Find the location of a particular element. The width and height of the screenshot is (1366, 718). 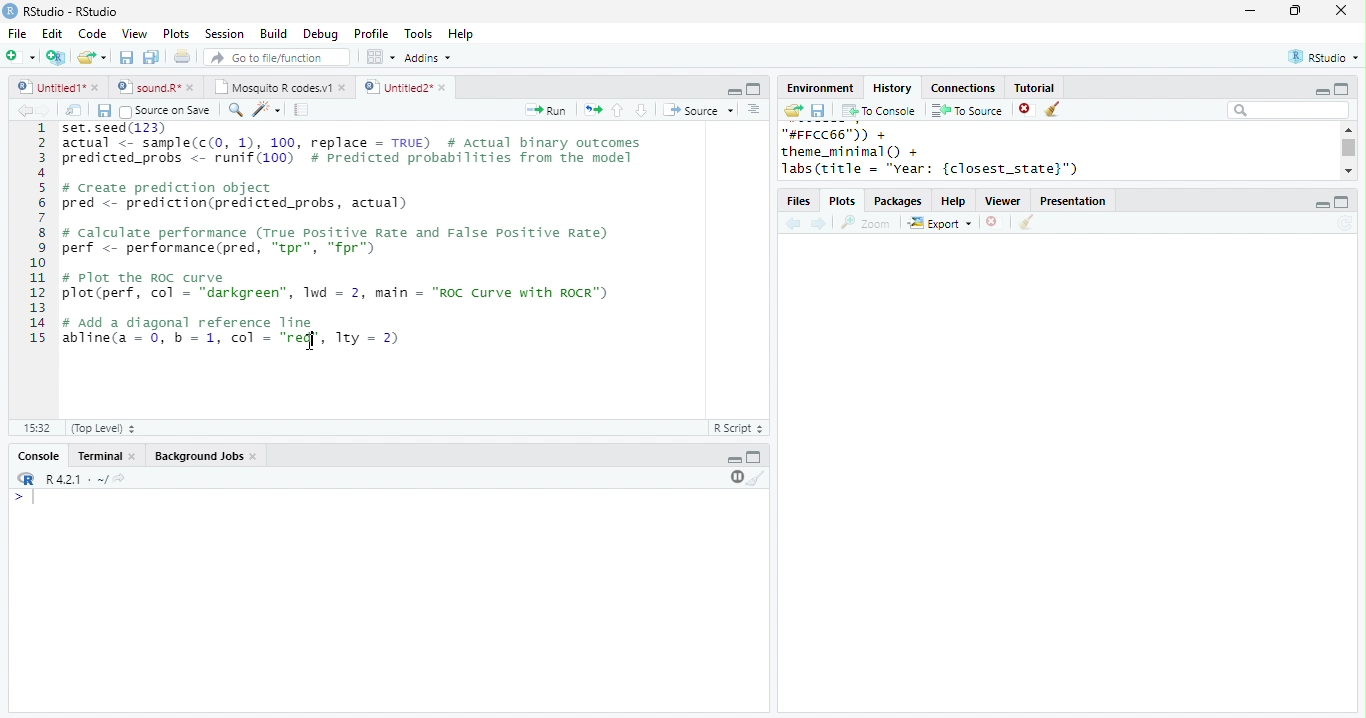

15:32 is located at coordinates (36, 427).